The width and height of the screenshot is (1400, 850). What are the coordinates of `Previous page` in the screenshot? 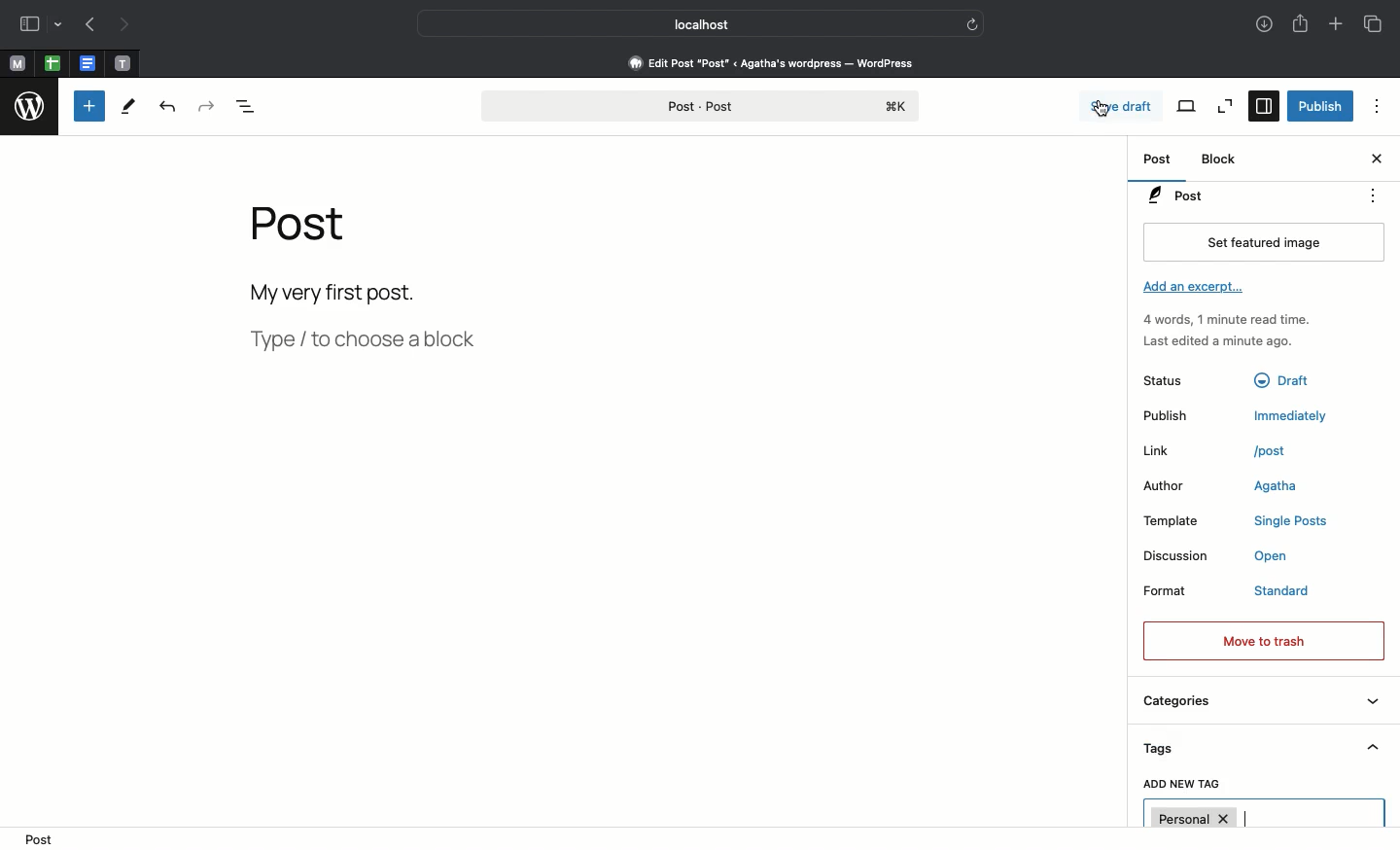 It's located at (87, 23).